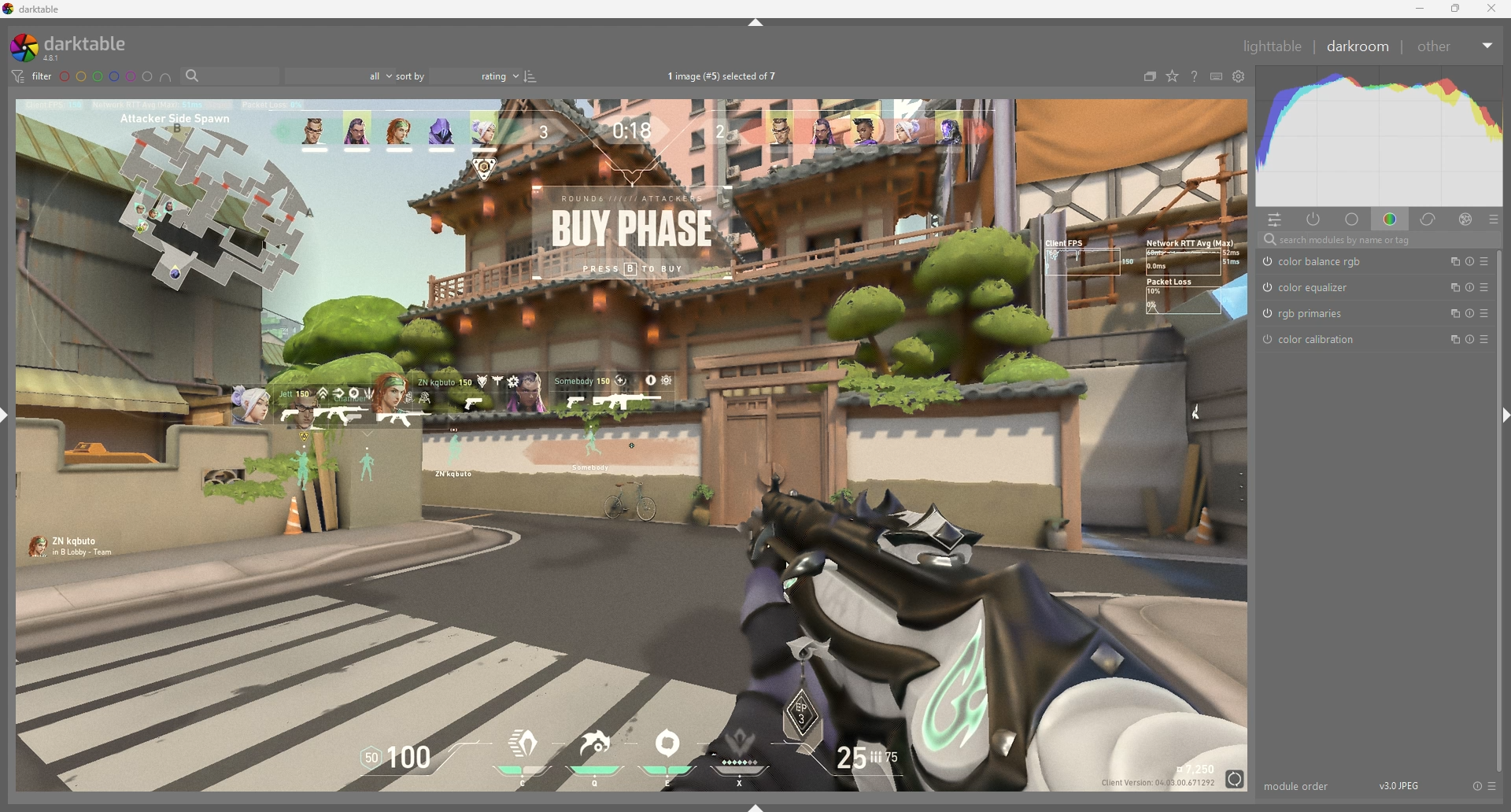  What do you see at coordinates (1457, 46) in the screenshot?
I see `other` at bounding box center [1457, 46].